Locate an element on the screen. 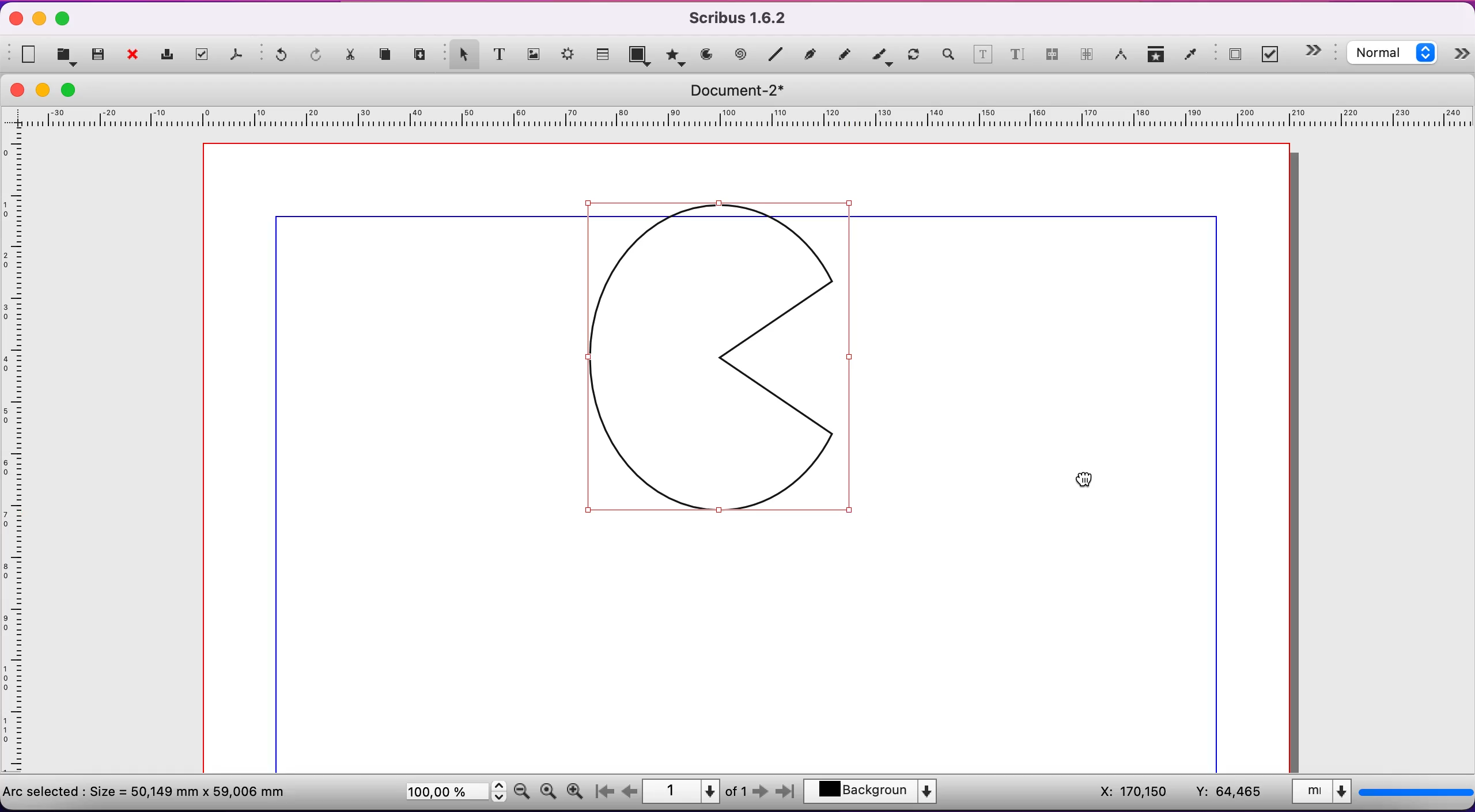 The image size is (1475, 812). spiral is located at coordinates (742, 55).